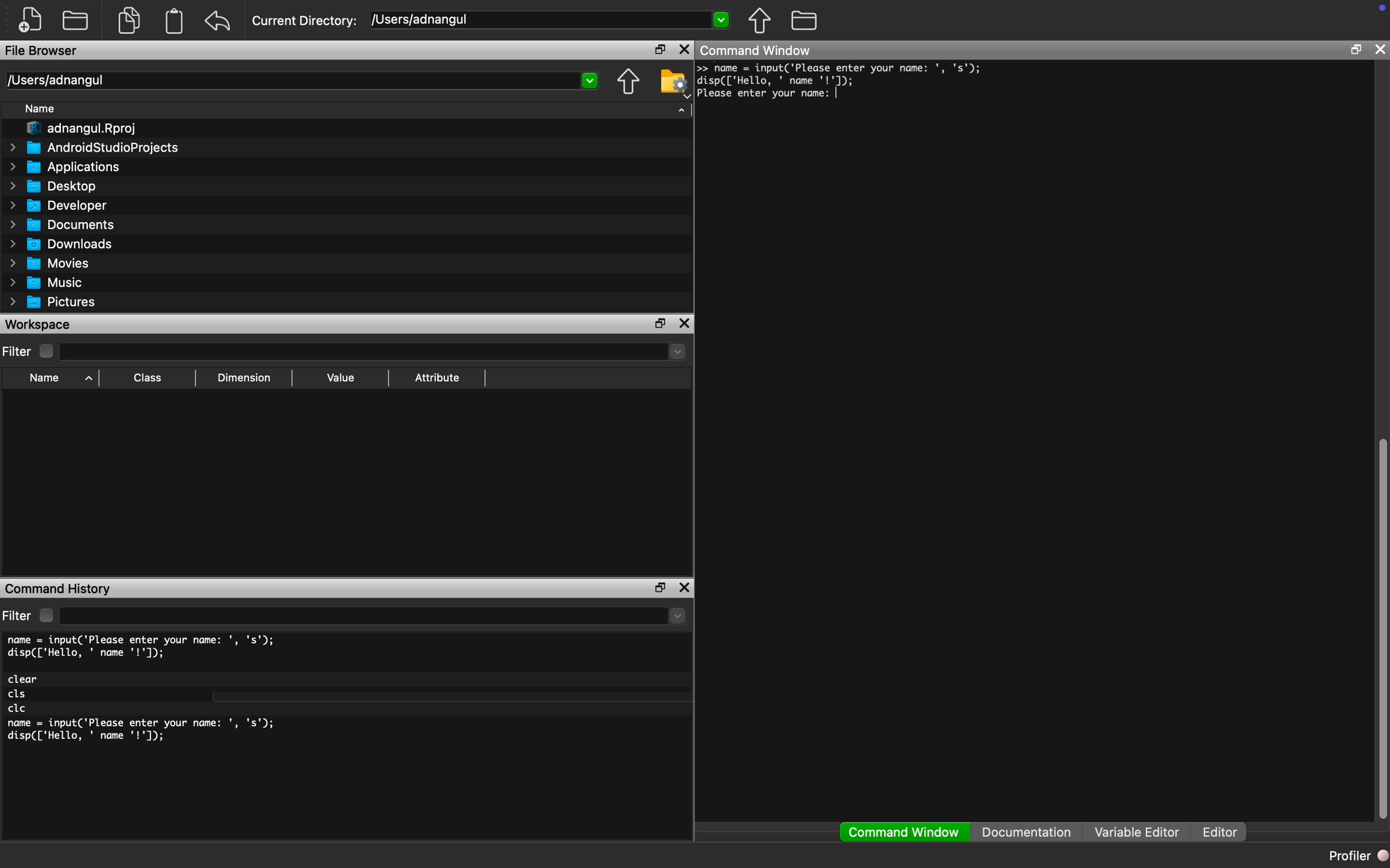 This screenshot has height=868, width=1390. Describe the element at coordinates (675, 351) in the screenshot. I see `dropdown` at that location.